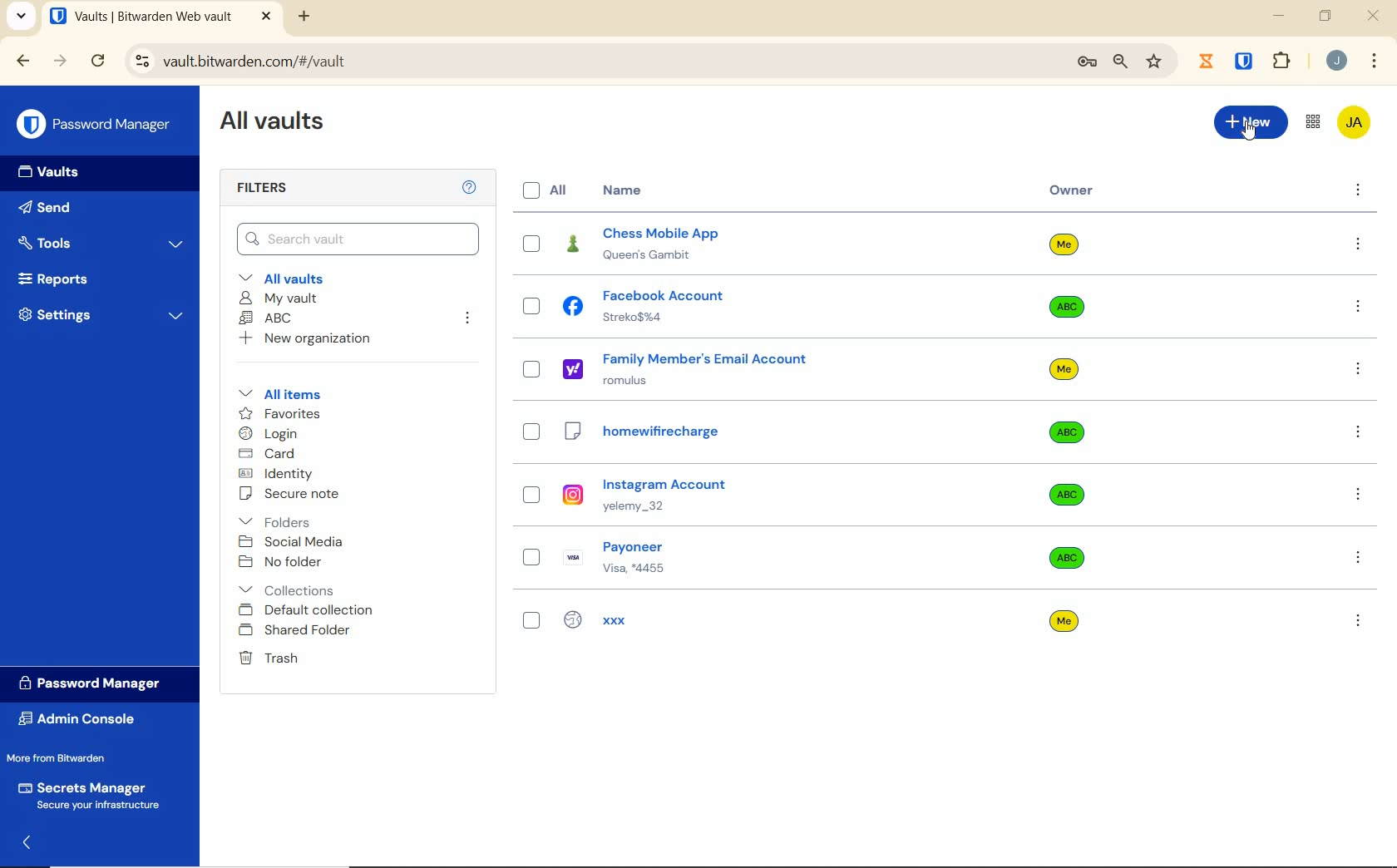 The height and width of the screenshot is (868, 1397). What do you see at coordinates (310, 341) in the screenshot?
I see `New organization` at bounding box center [310, 341].